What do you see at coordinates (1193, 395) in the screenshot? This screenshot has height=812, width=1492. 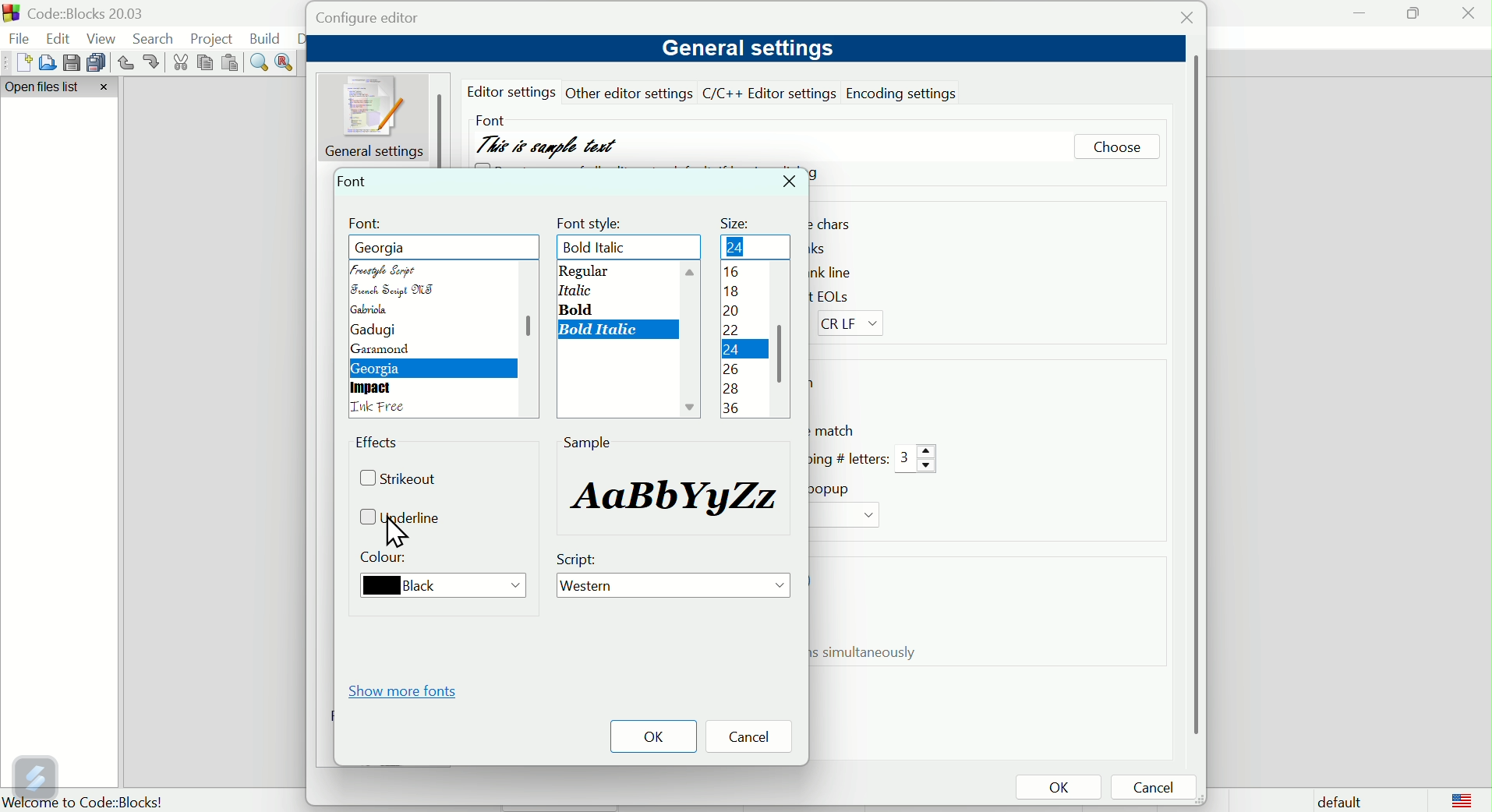 I see `scroll bar` at bounding box center [1193, 395].